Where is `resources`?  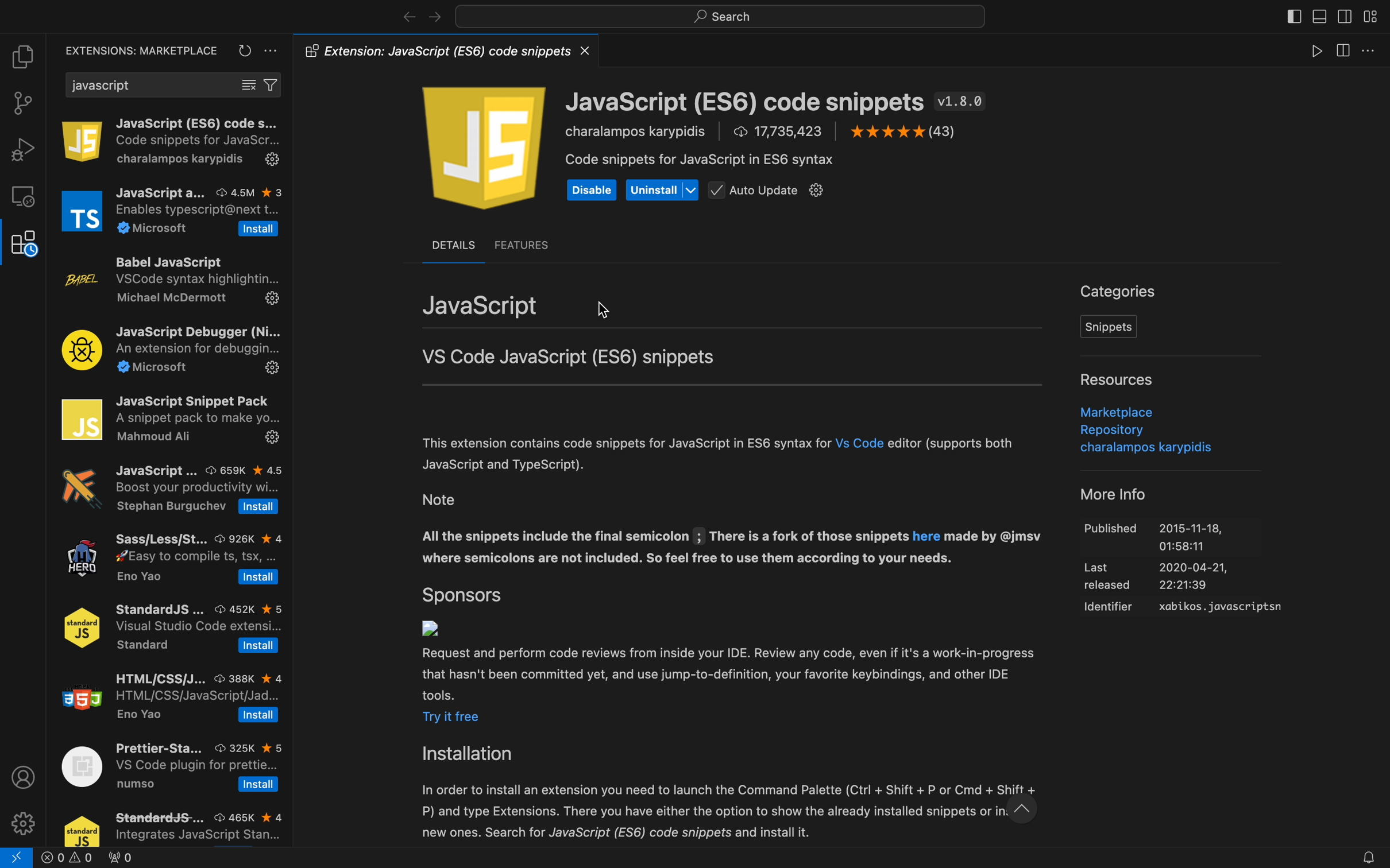 resources is located at coordinates (1115, 377).